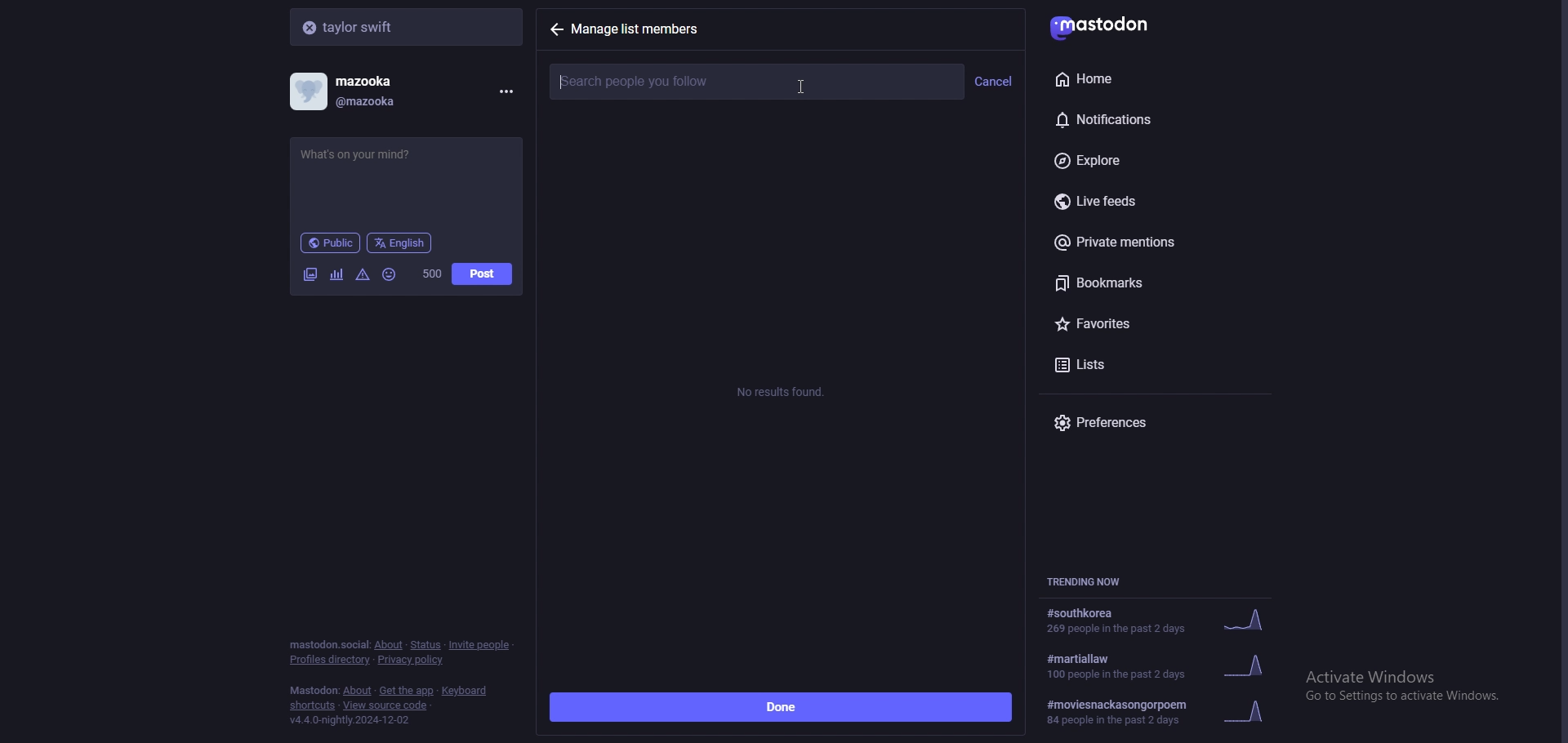 The height and width of the screenshot is (743, 1568). What do you see at coordinates (359, 692) in the screenshot?
I see `about` at bounding box center [359, 692].